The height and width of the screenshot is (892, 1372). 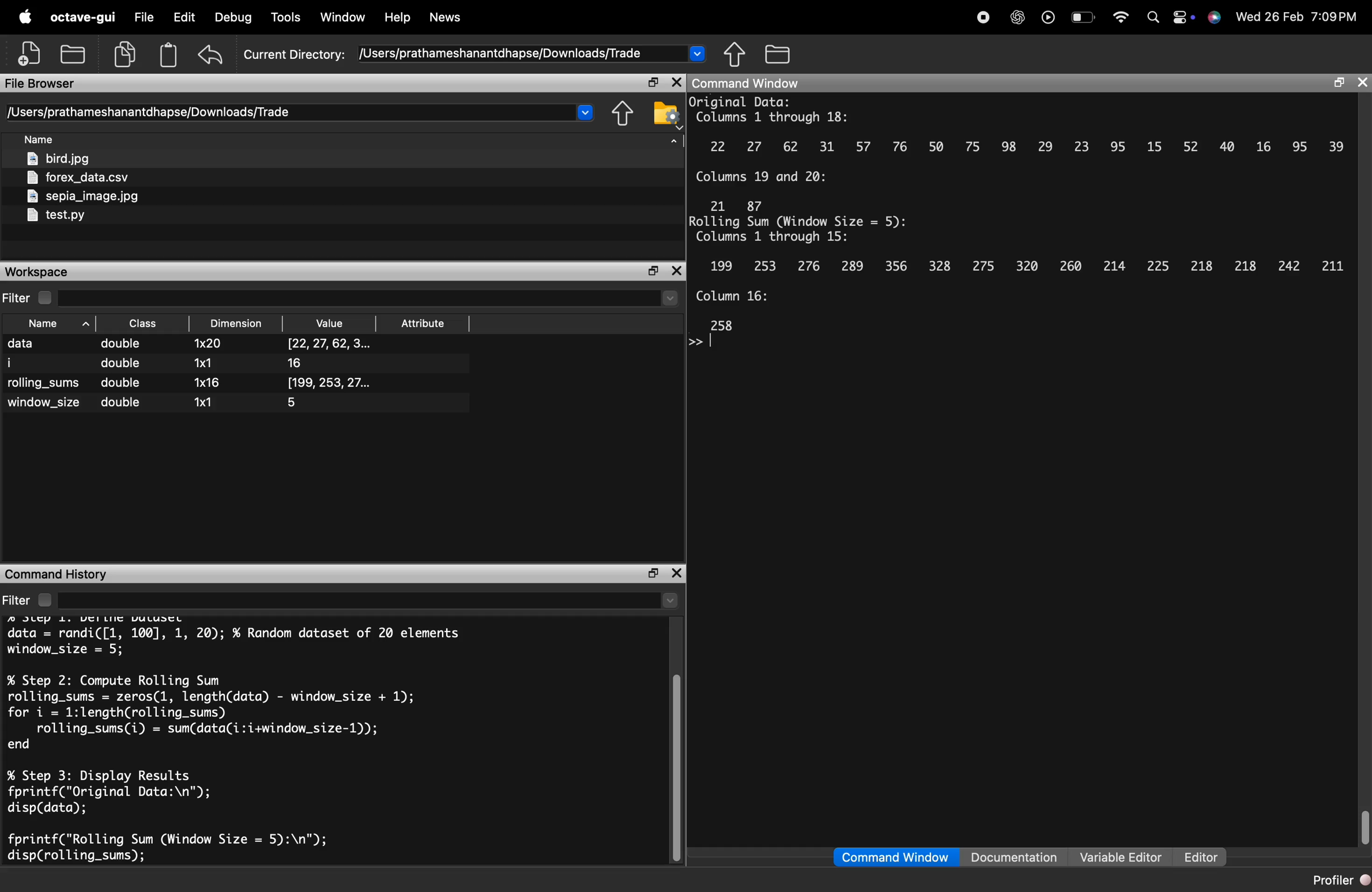 I want to click on value, so click(x=330, y=374).